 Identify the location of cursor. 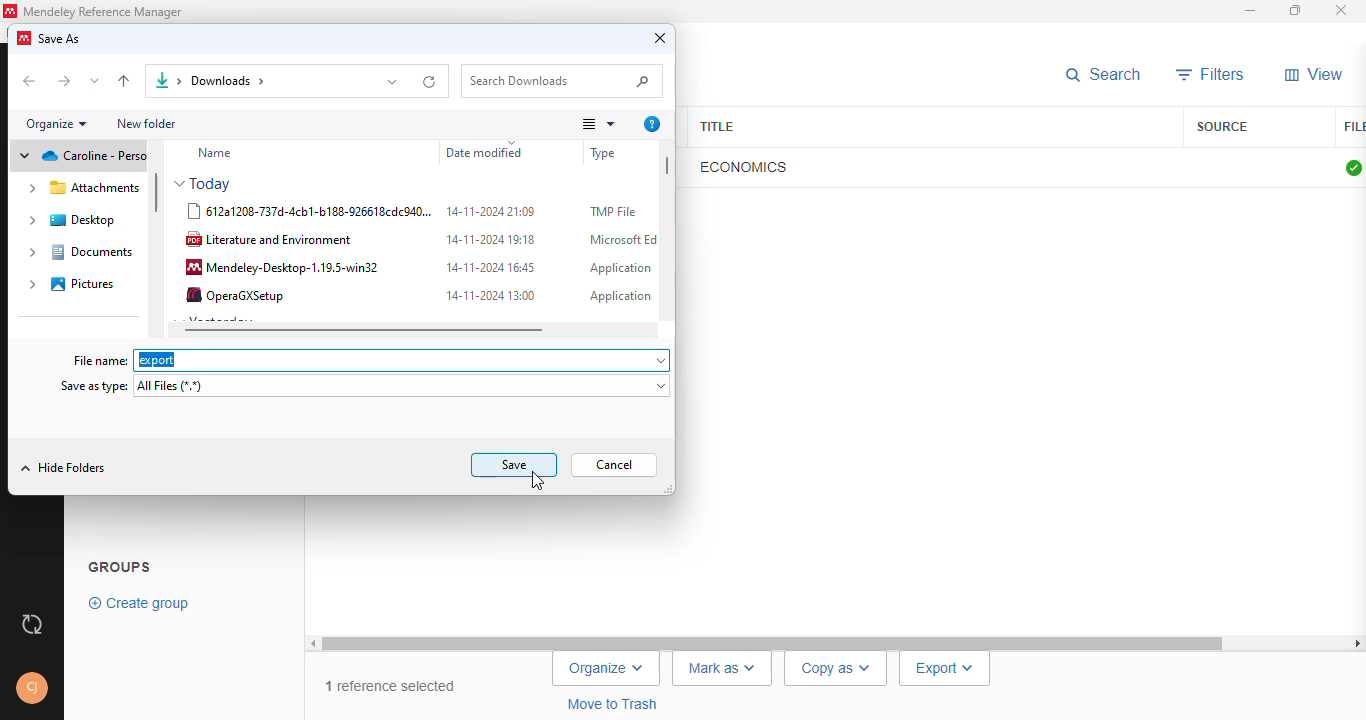
(540, 482).